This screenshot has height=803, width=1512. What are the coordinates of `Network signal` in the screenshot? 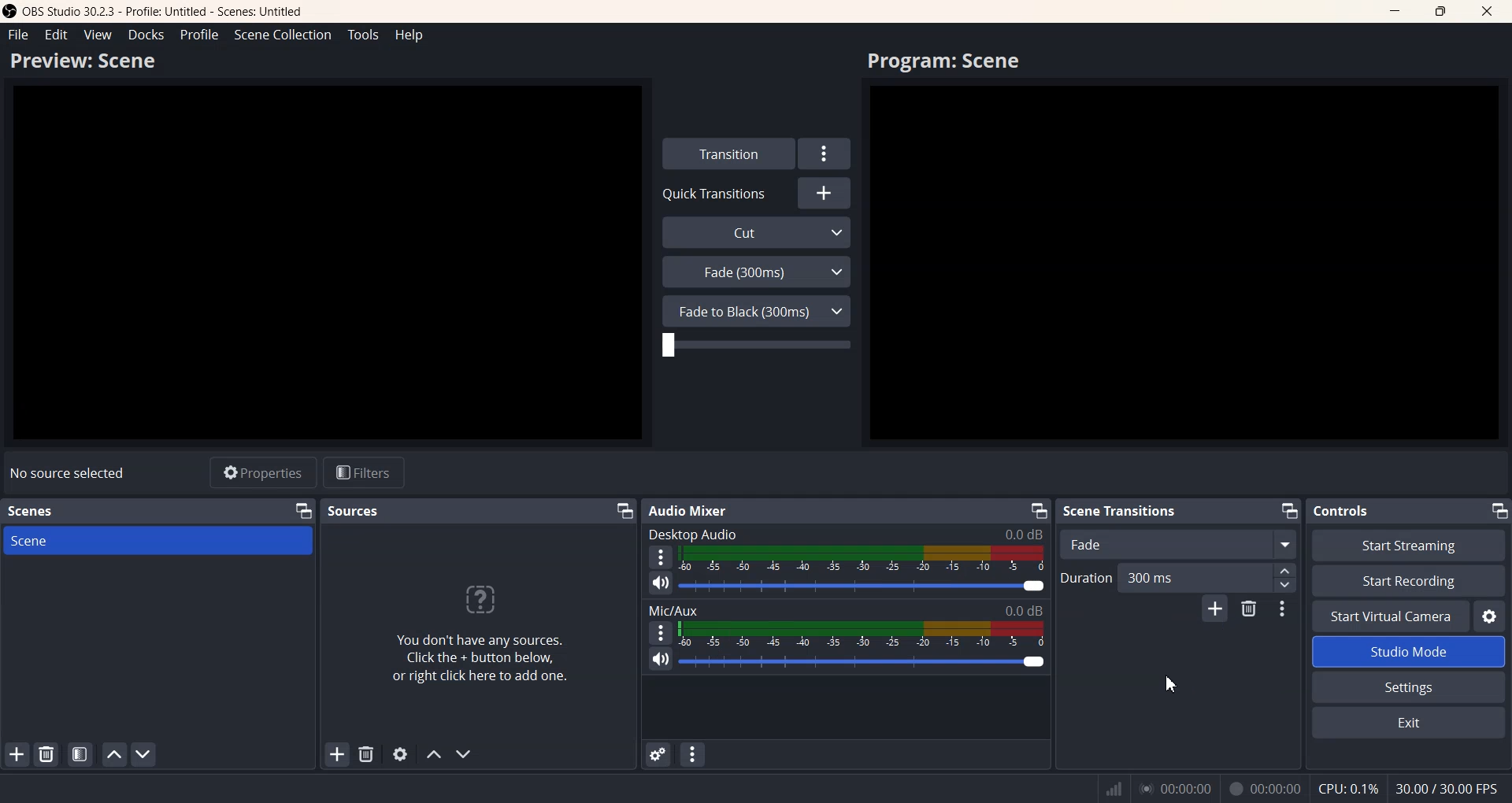 It's located at (1111, 787).